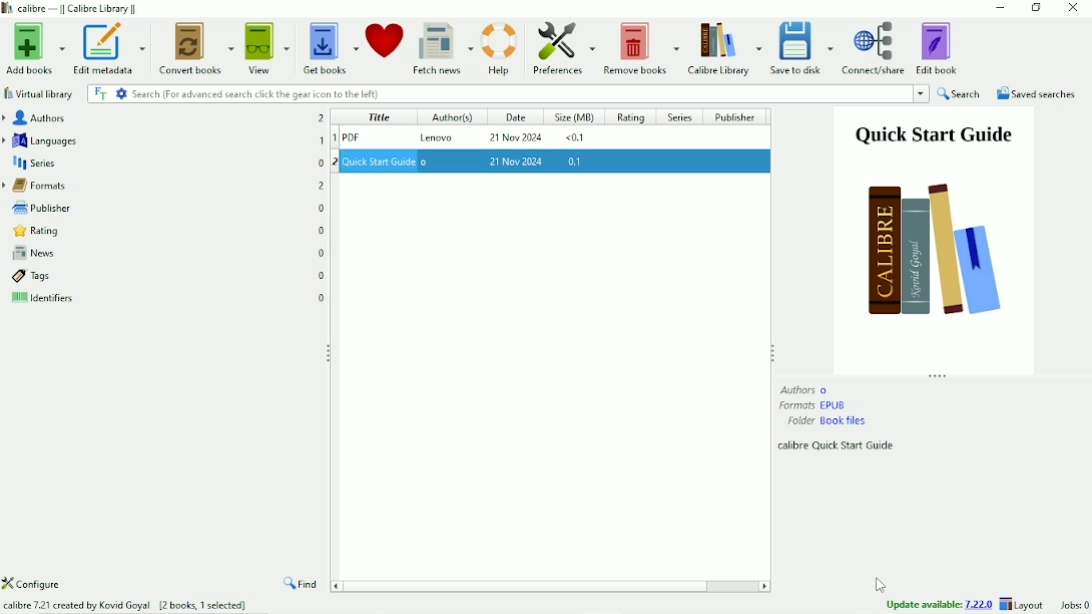  I want to click on Edit metadata, so click(107, 49).